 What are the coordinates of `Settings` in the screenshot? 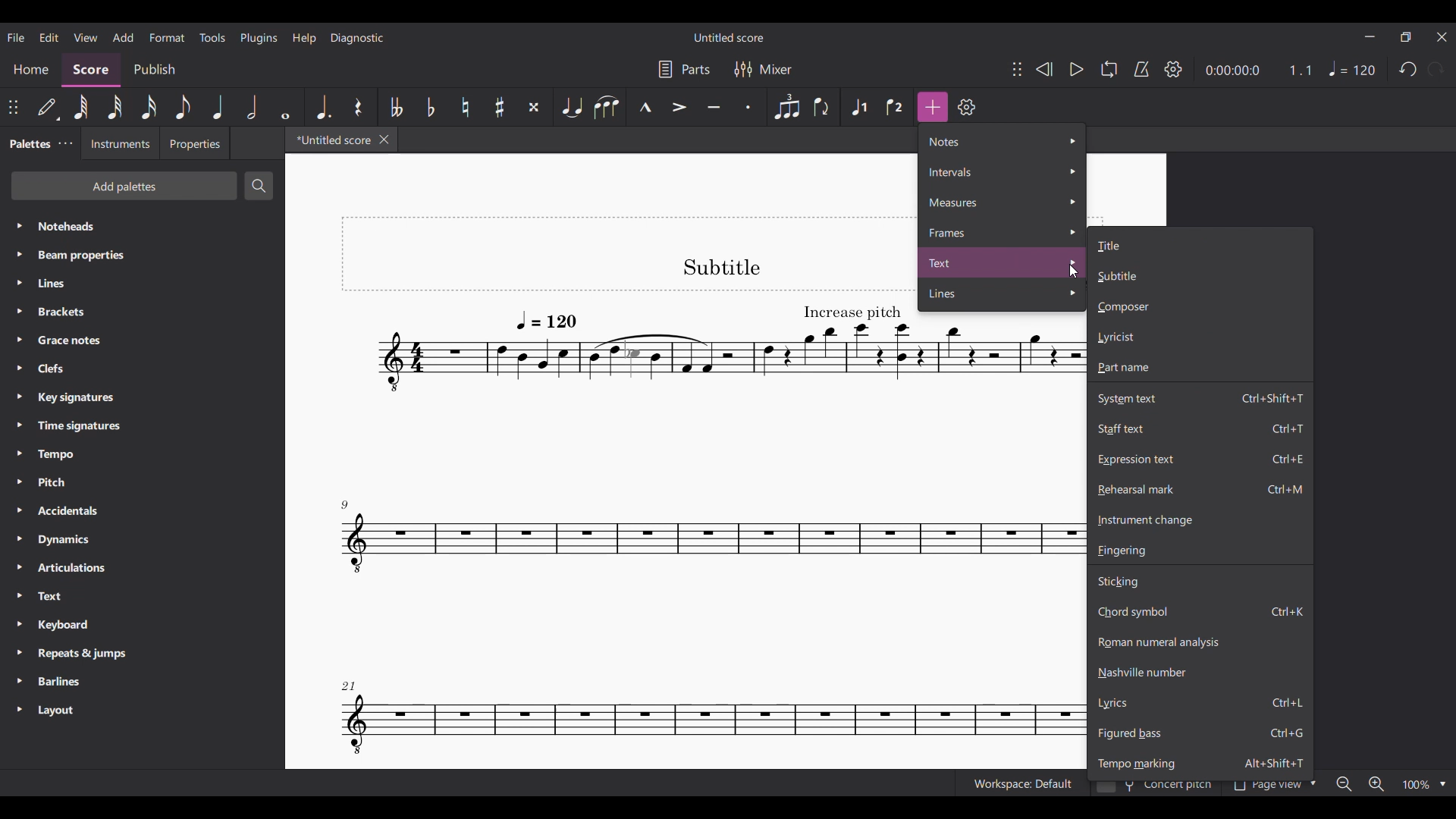 It's located at (1173, 68).